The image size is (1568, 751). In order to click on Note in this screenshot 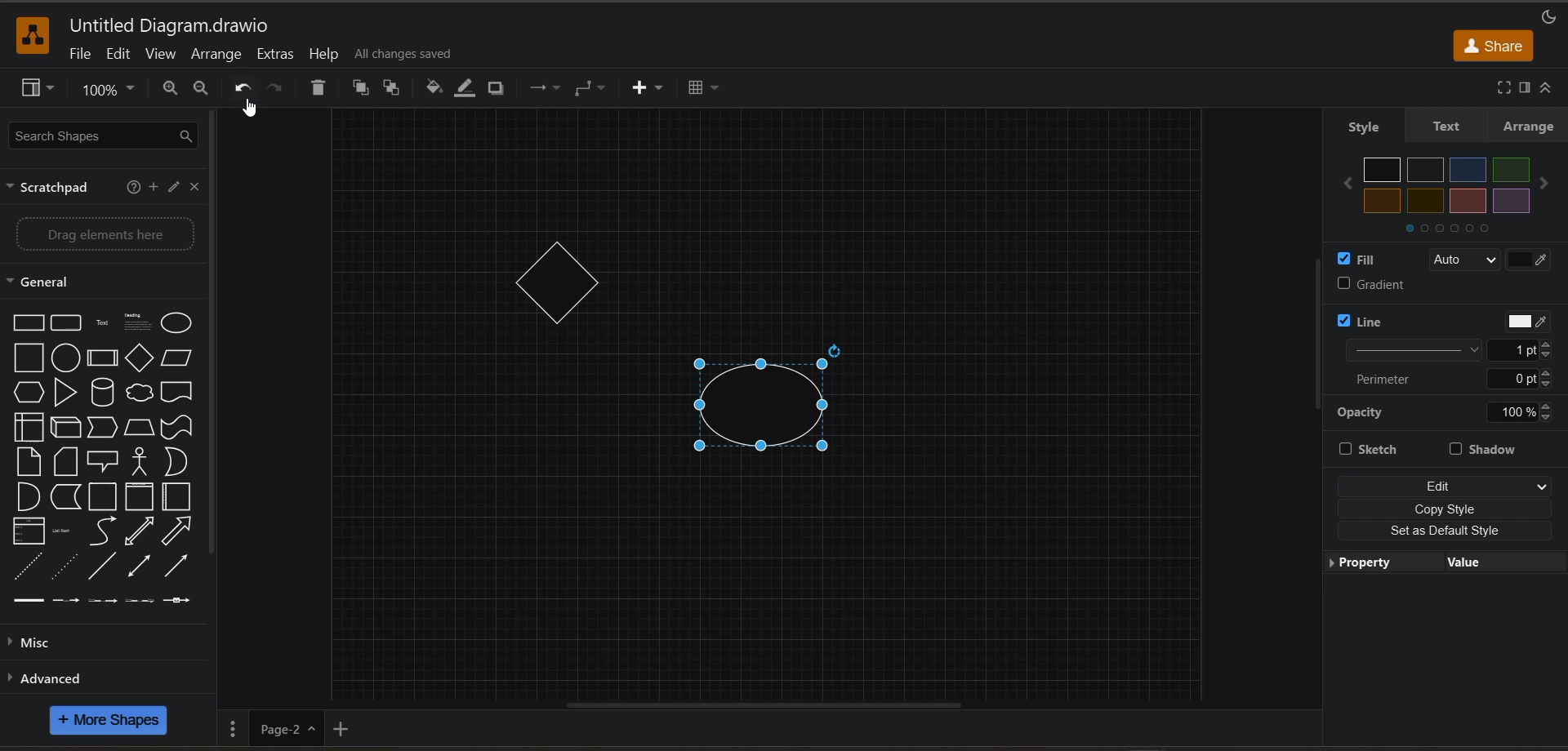, I will do `click(29, 461)`.